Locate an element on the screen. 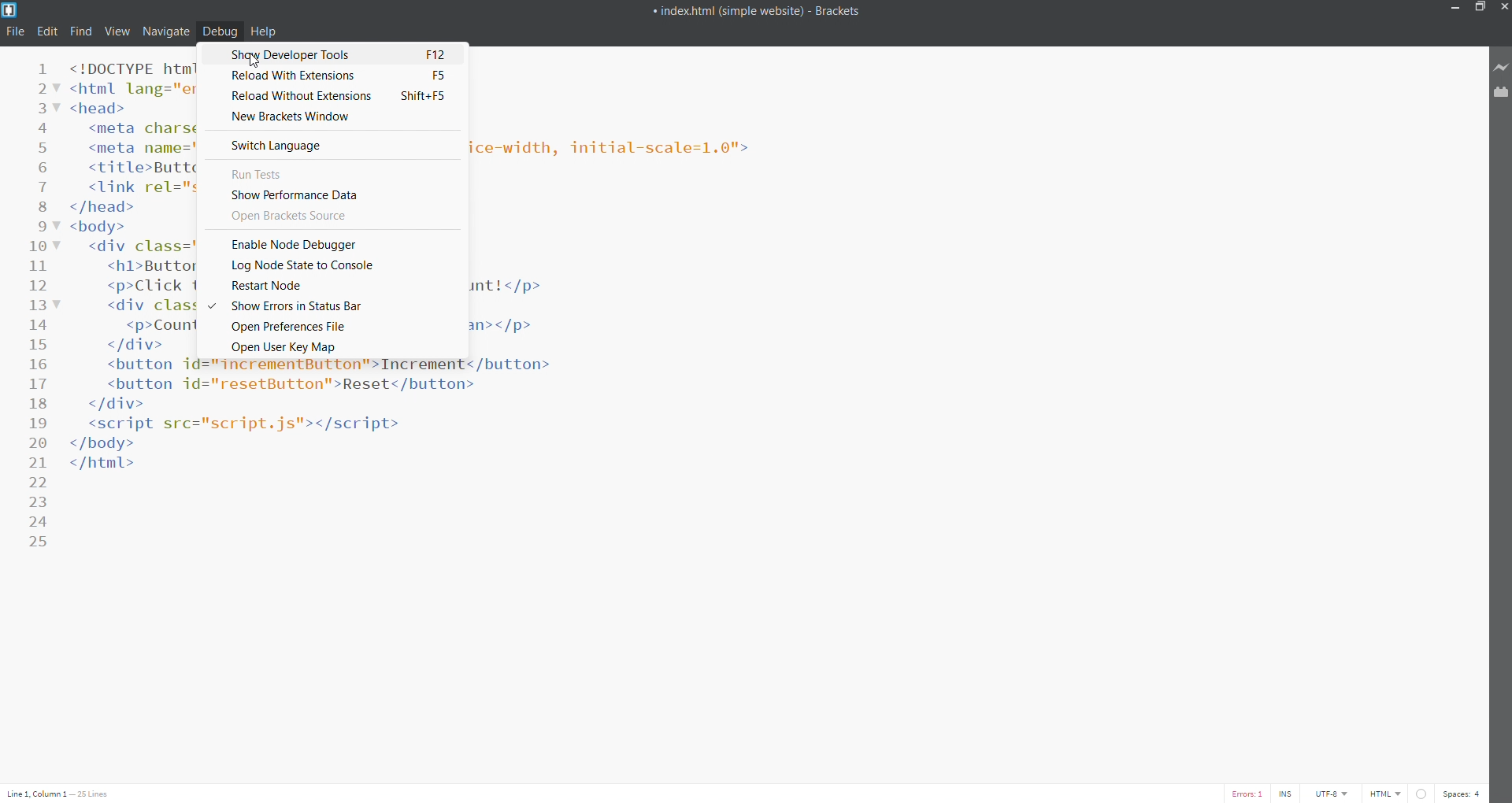 The image size is (1512, 803). restart node is located at coordinates (330, 284).